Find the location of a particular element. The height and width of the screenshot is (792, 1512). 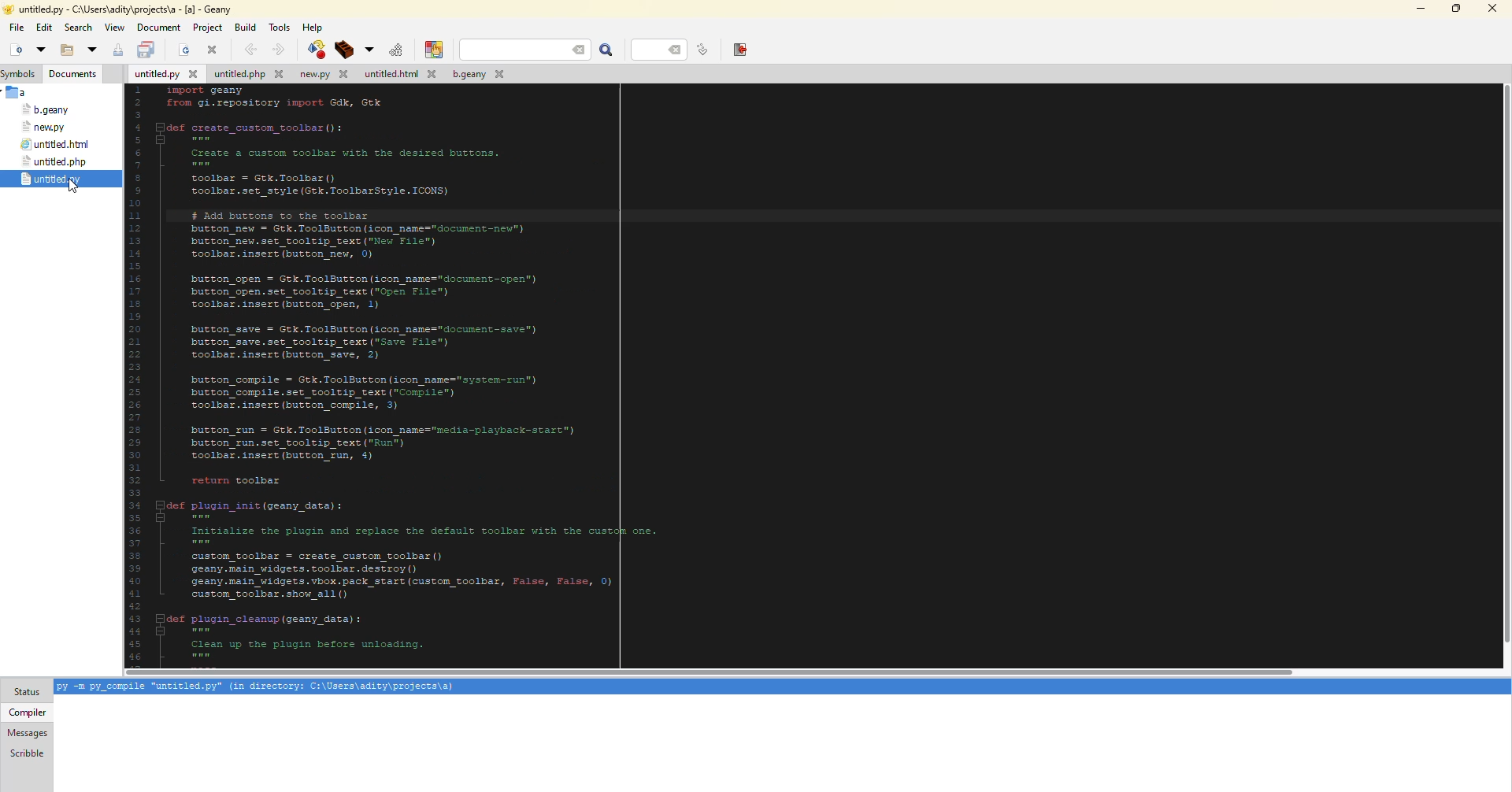

file is located at coordinates (17, 92).